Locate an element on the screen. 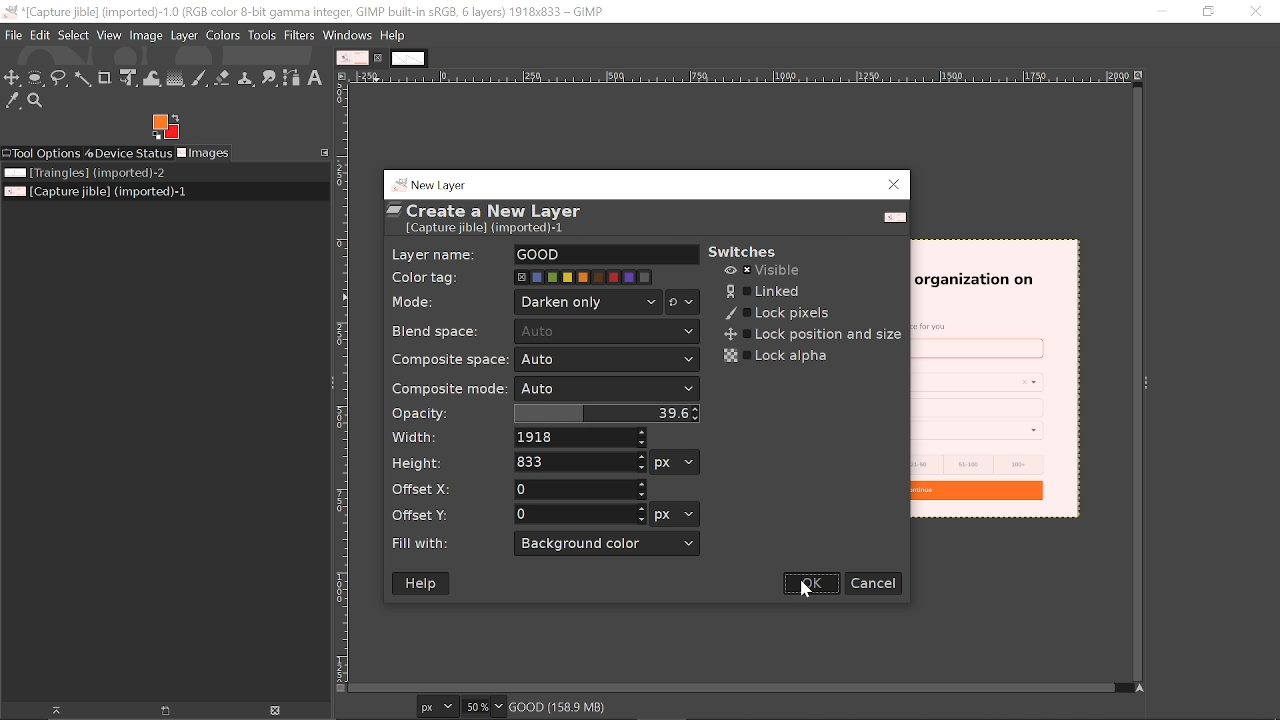 This screenshot has width=1280, height=720. Edit is located at coordinates (40, 35).